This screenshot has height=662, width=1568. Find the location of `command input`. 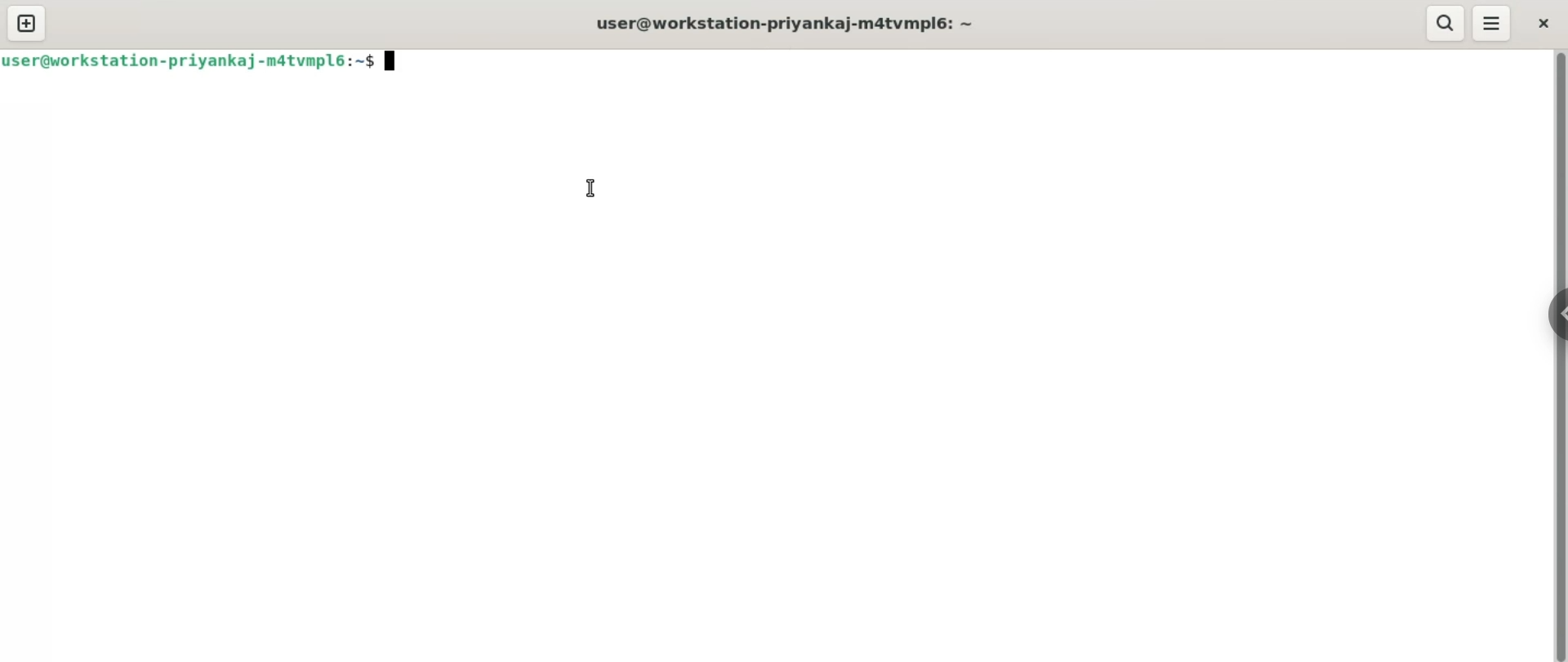

command input is located at coordinates (972, 60).